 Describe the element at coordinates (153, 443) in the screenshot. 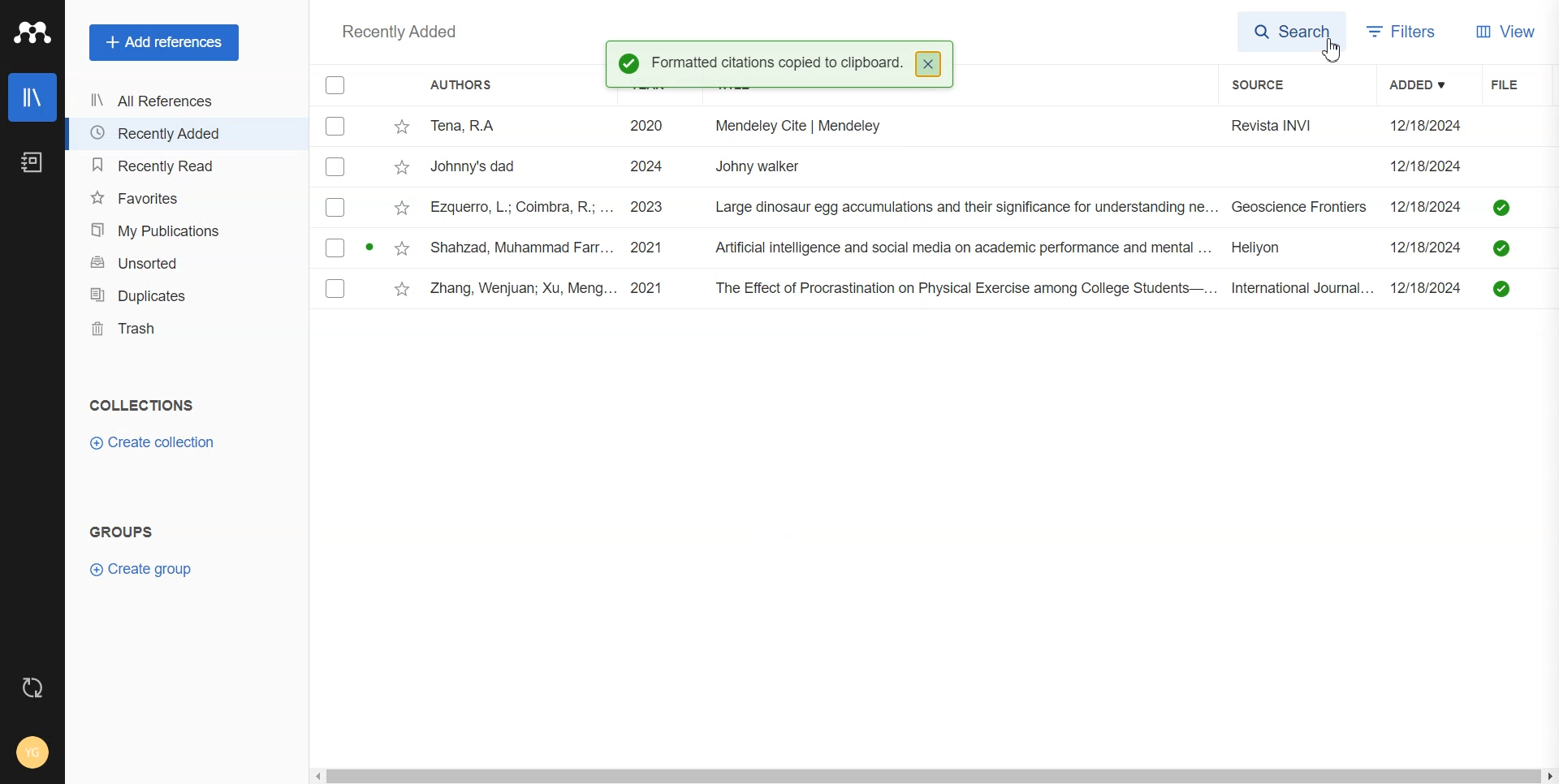

I see `Create Collection` at that location.